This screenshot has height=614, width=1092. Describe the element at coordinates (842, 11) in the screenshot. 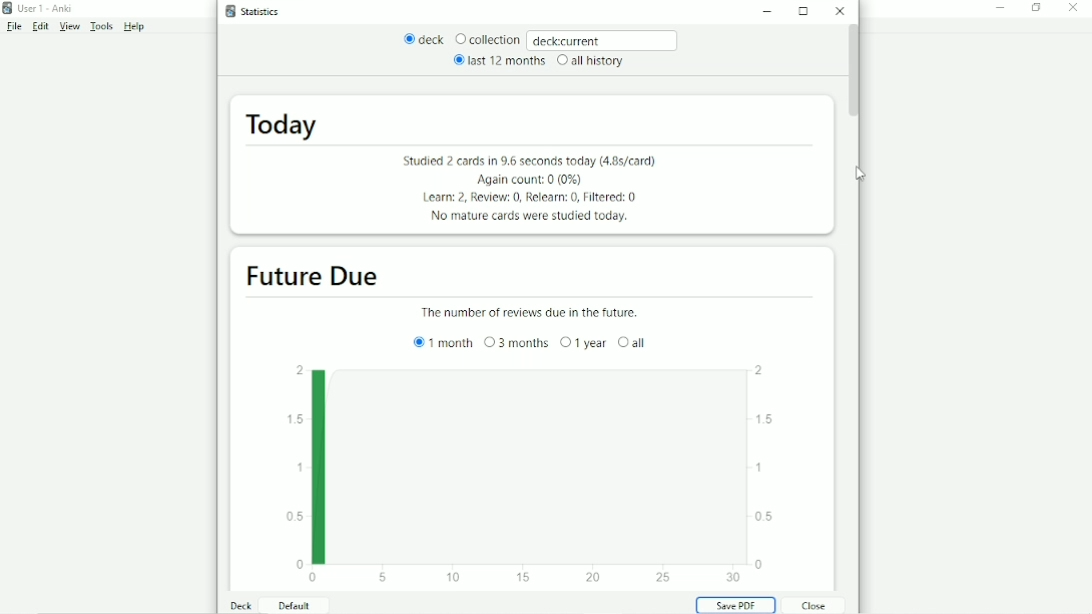

I see `Close` at that location.